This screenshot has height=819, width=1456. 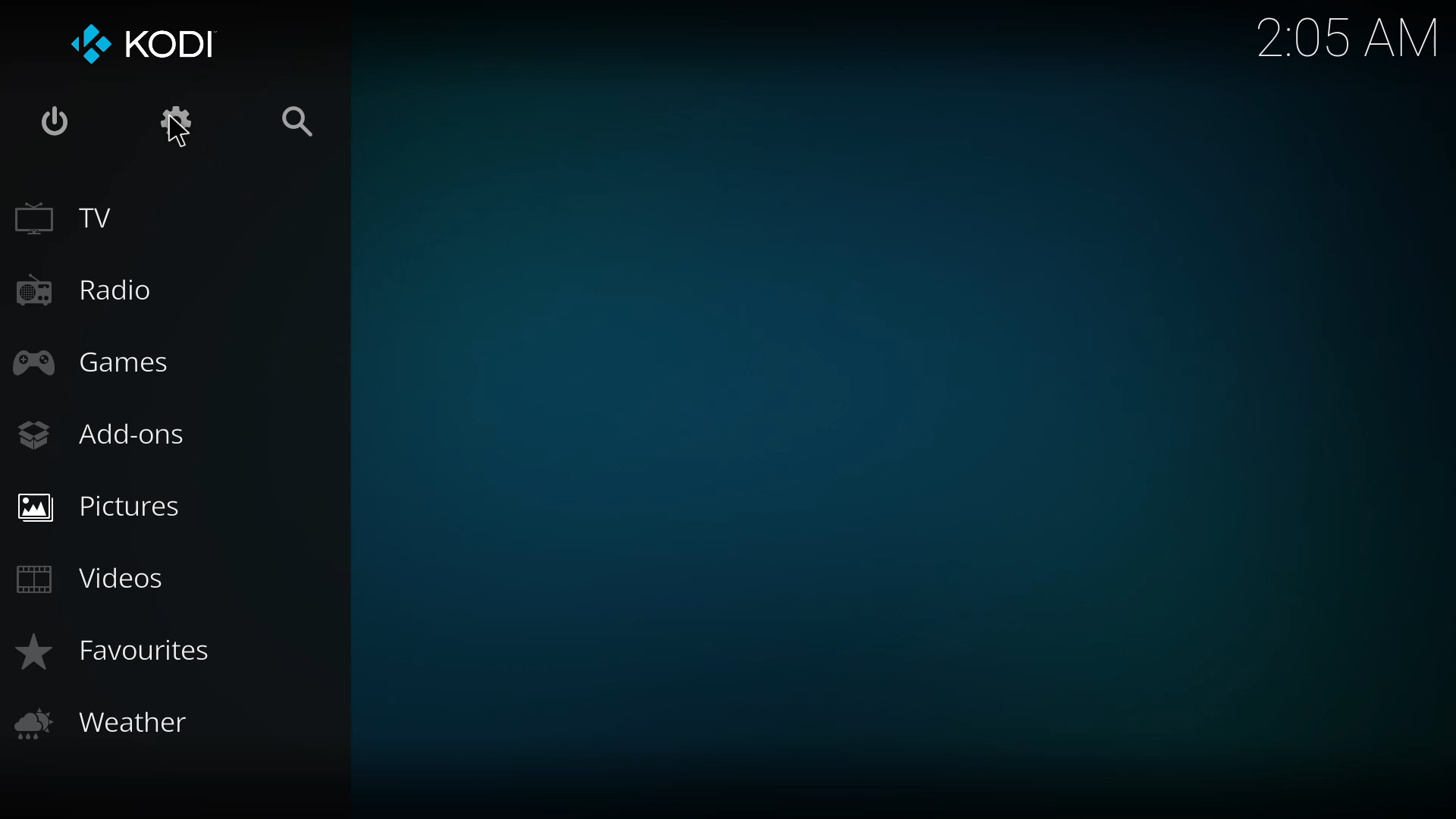 I want to click on search, so click(x=290, y=123).